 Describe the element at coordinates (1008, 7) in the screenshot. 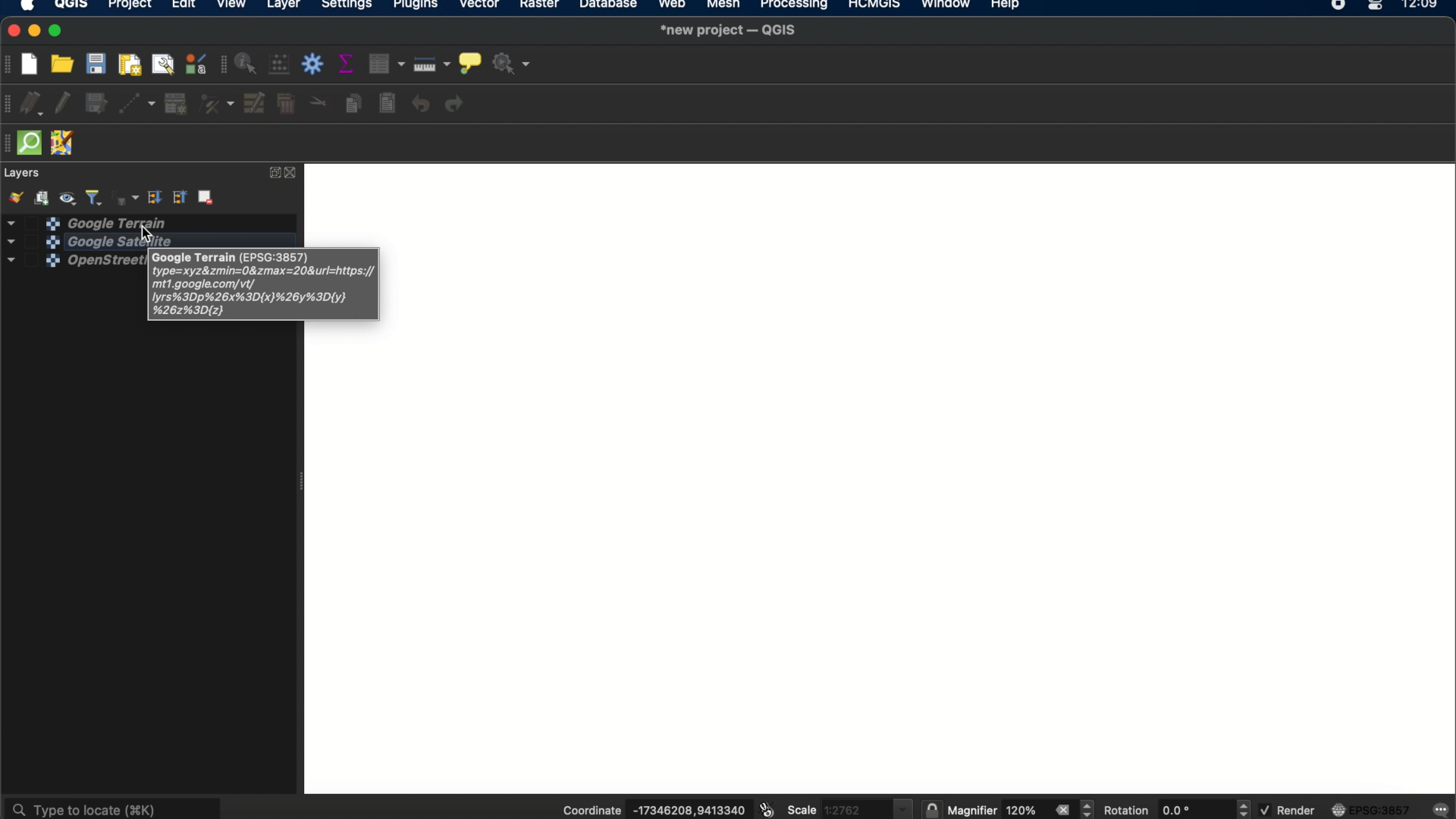

I see `help` at that location.